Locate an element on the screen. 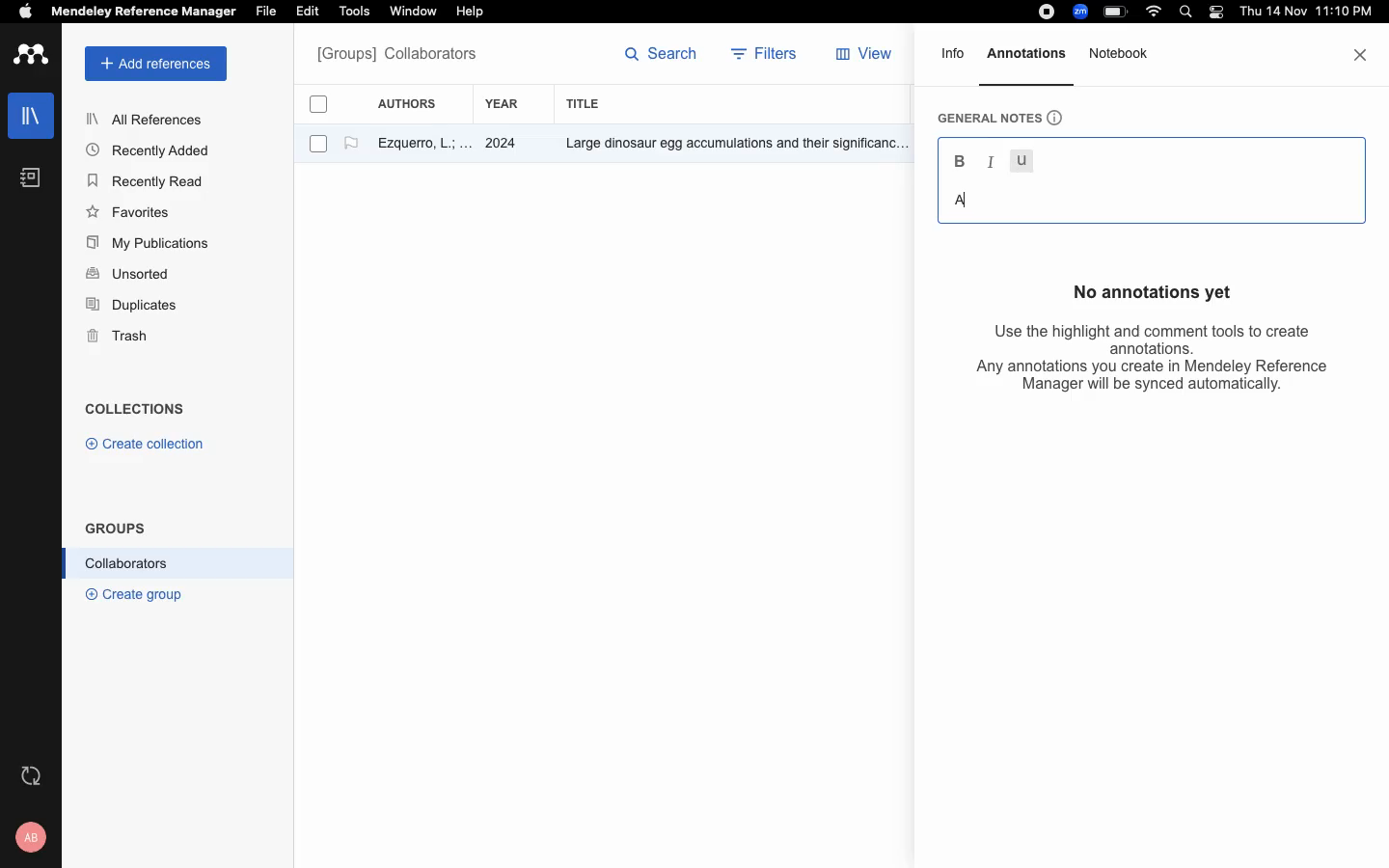 The width and height of the screenshot is (1389, 868). underline is located at coordinates (1034, 160).